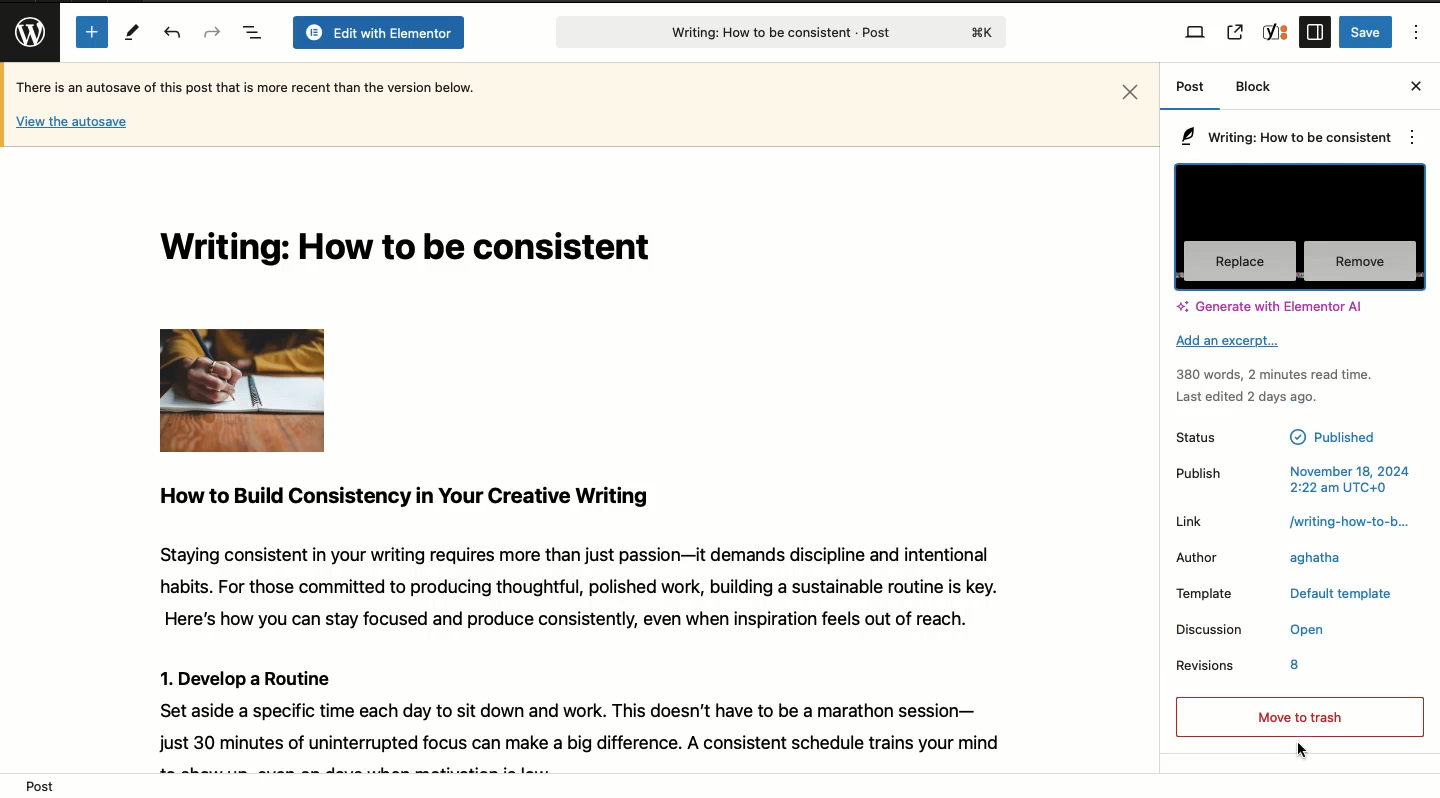  Describe the element at coordinates (1307, 750) in the screenshot. I see `Cursor` at that location.